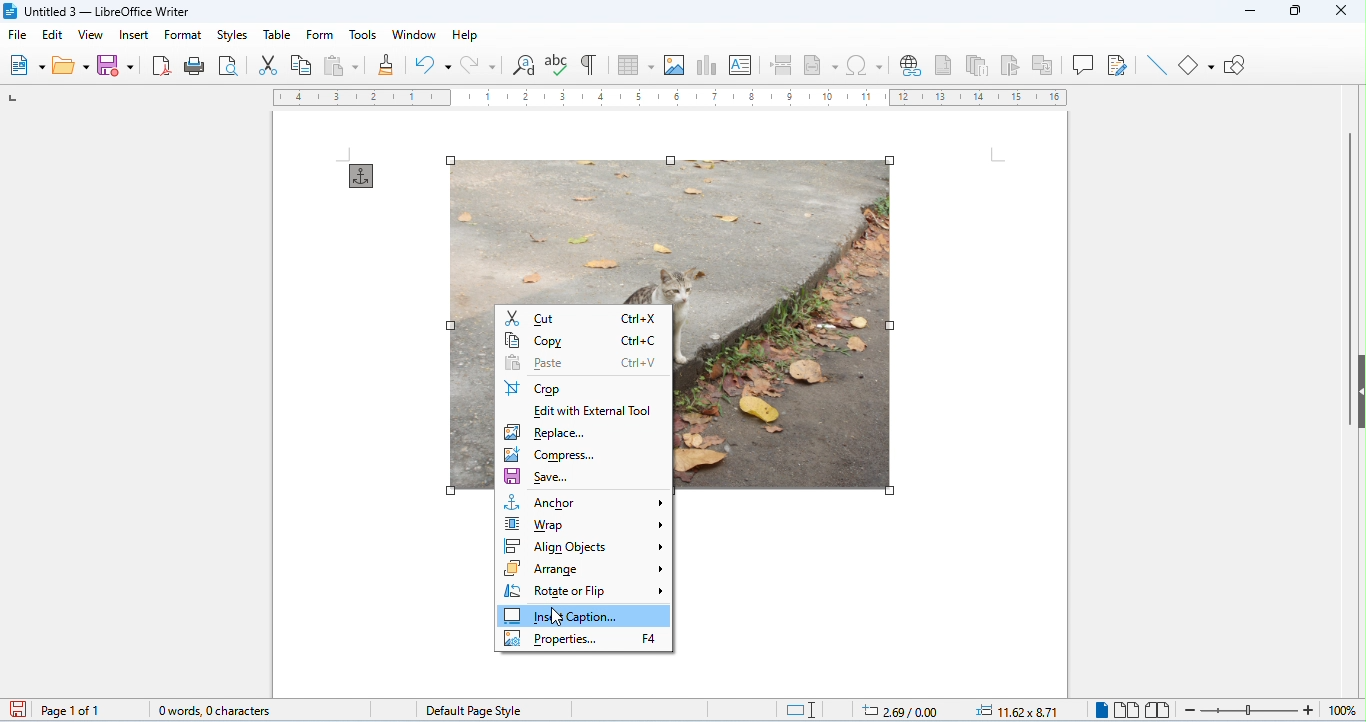  Describe the element at coordinates (534, 388) in the screenshot. I see `crop` at that location.